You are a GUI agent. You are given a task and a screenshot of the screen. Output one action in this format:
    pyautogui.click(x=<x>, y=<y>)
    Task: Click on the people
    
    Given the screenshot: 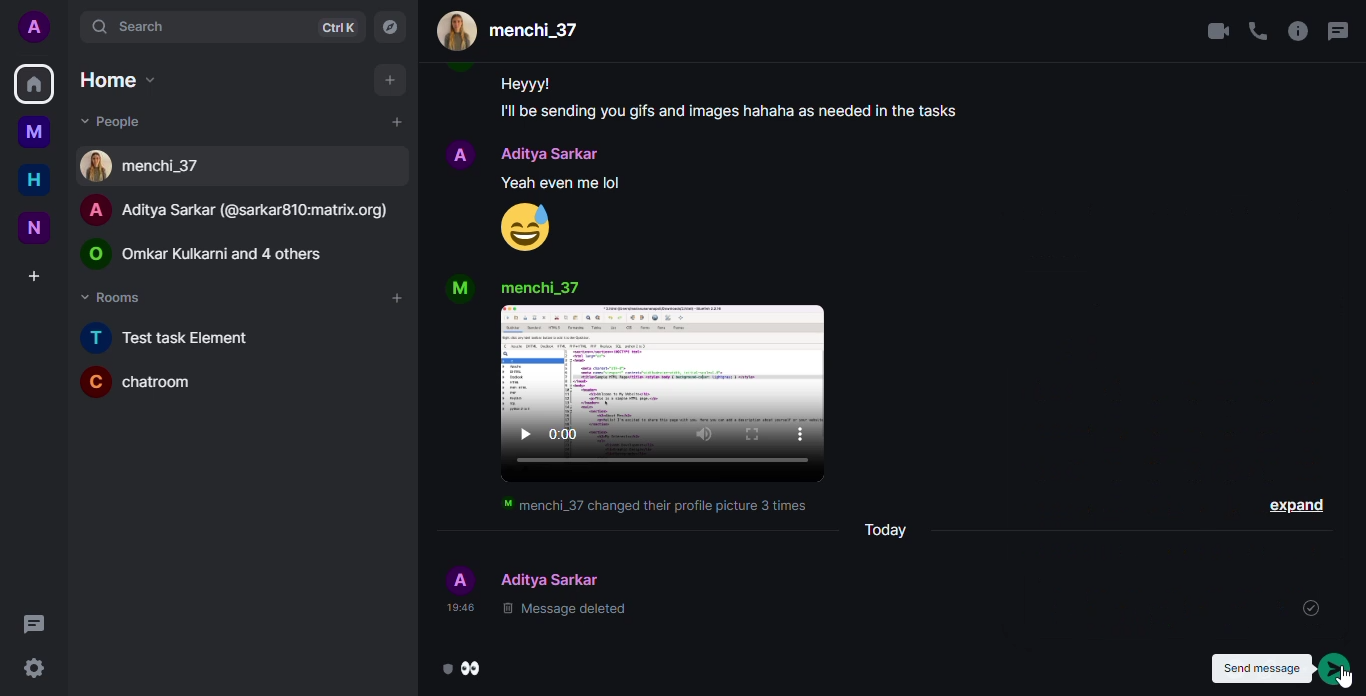 What is the action you would take?
    pyautogui.click(x=553, y=578)
    